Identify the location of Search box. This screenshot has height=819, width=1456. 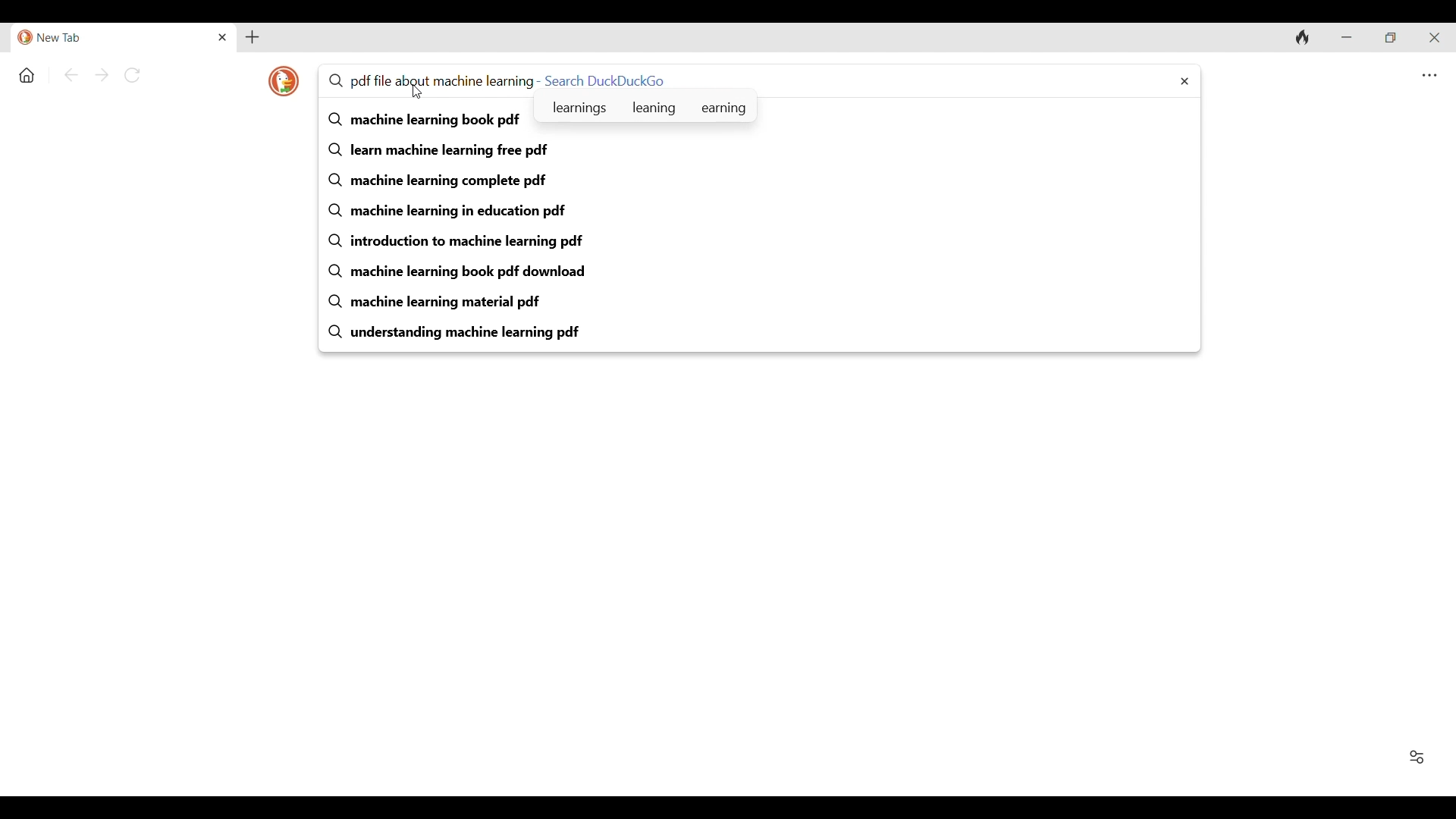
(918, 78).